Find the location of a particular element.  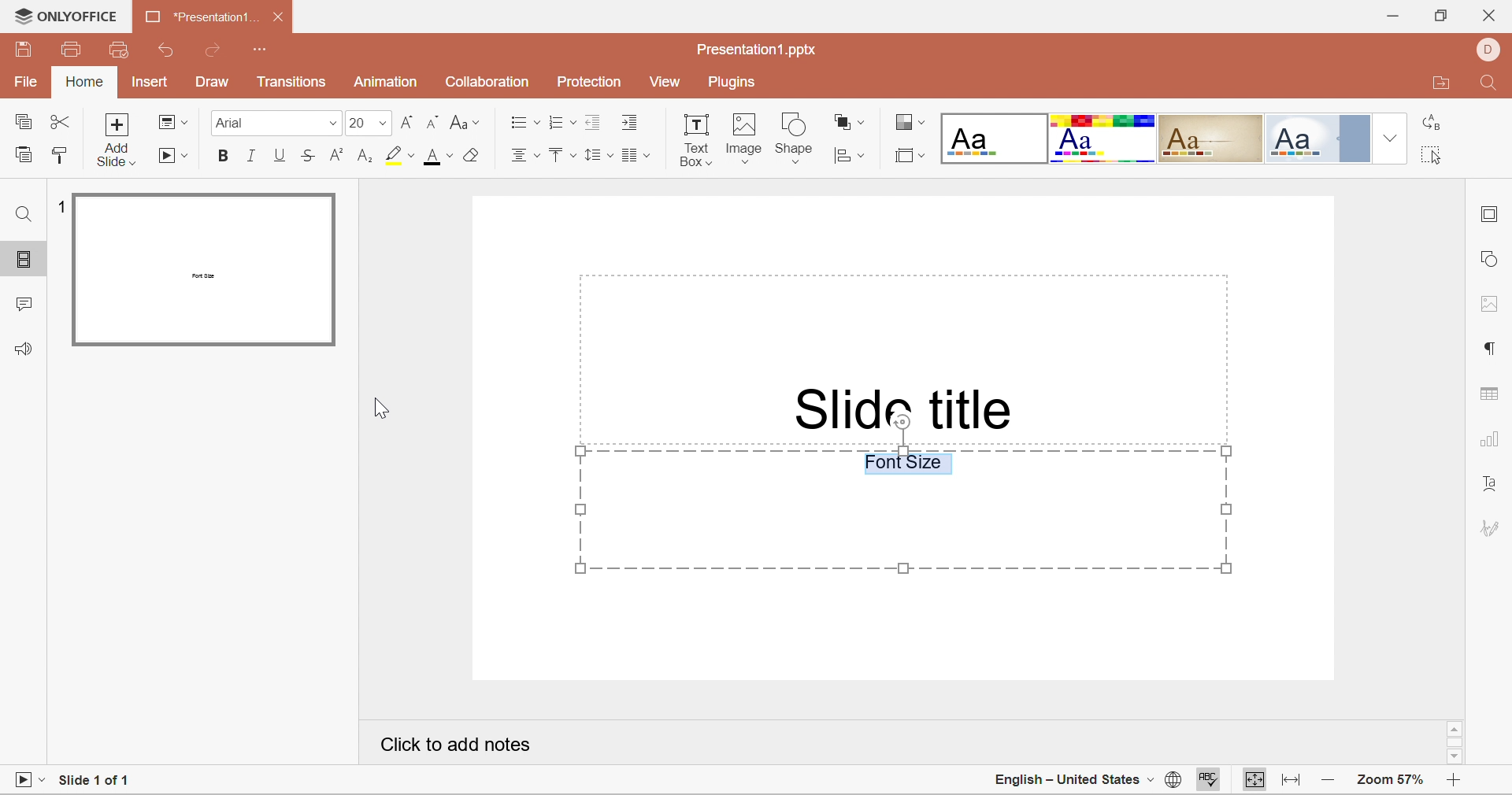

Increment font size is located at coordinates (409, 122).